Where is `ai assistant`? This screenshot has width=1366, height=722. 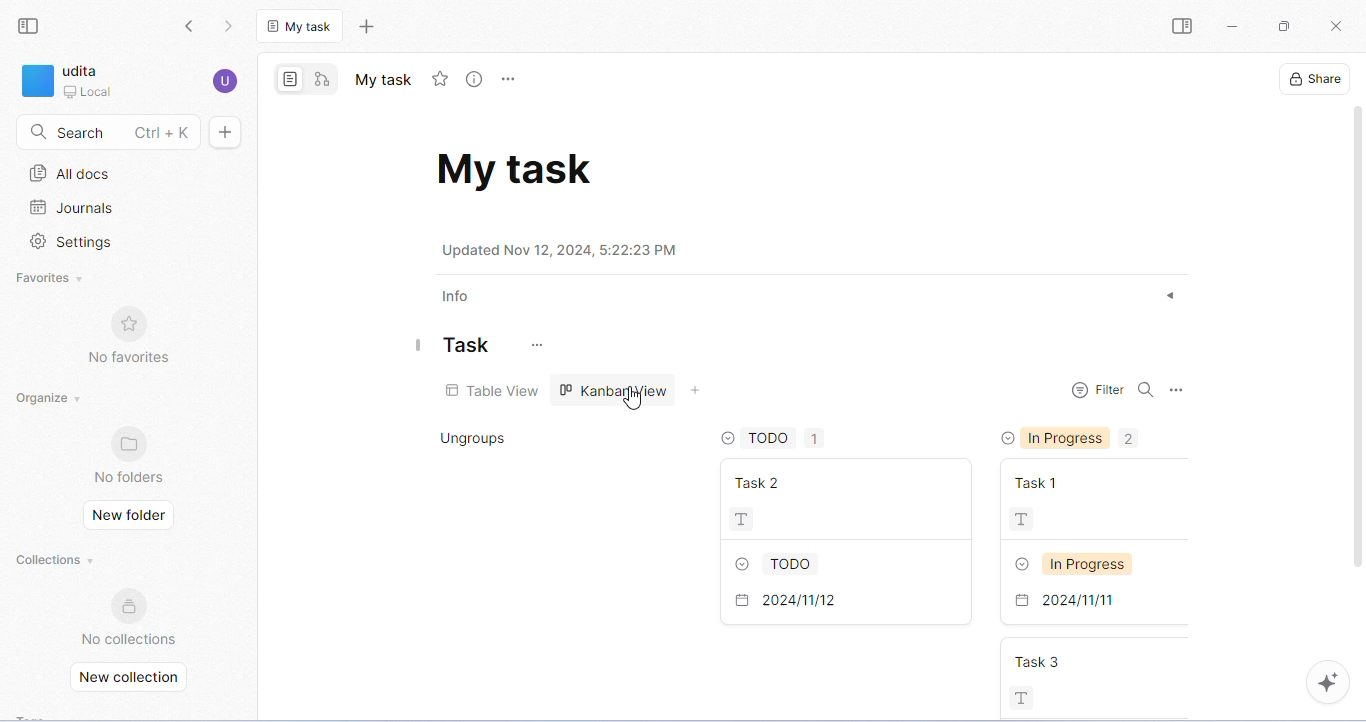
ai assistant is located at coordinates (1327, 681).